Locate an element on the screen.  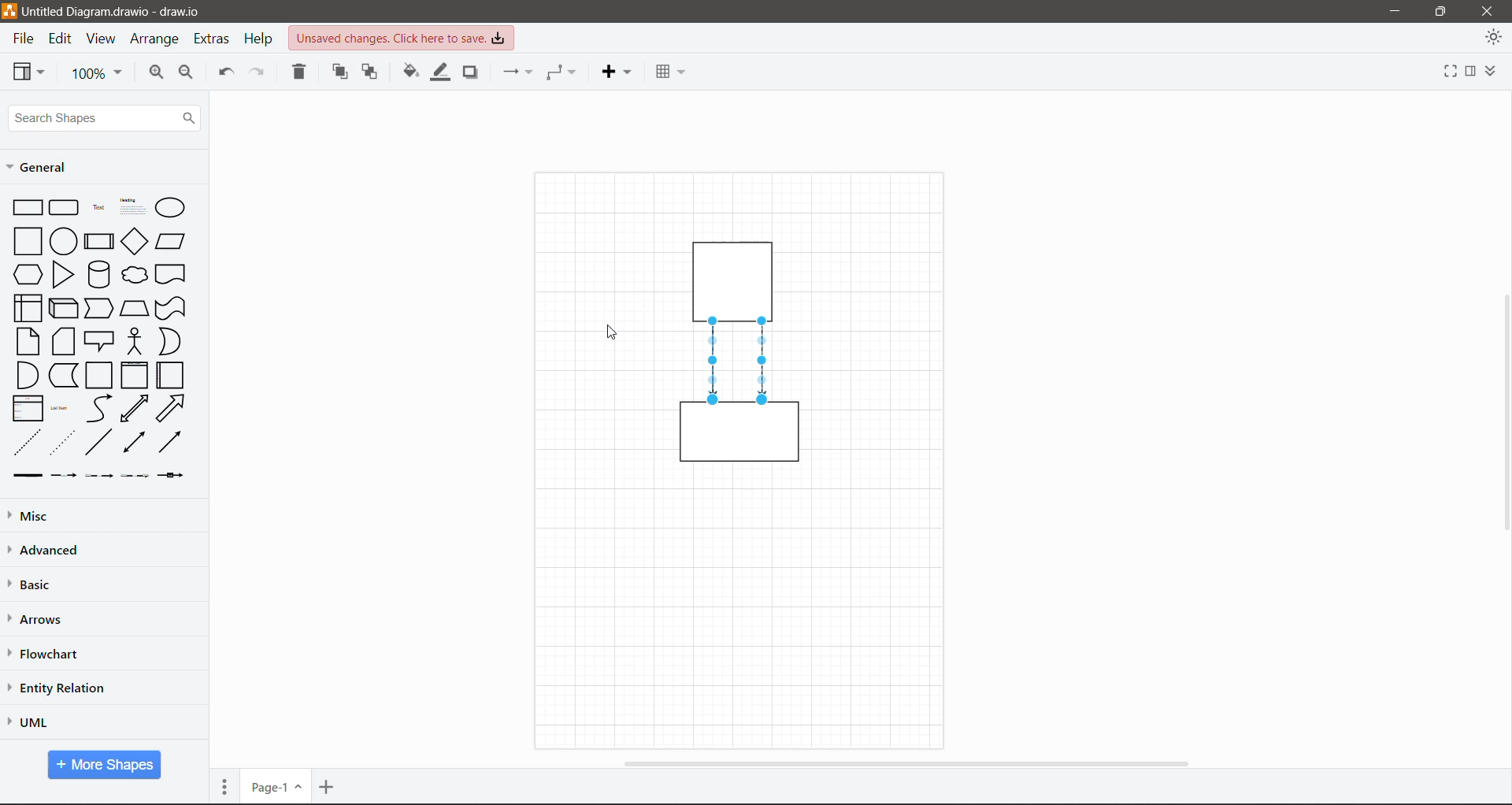
More Shapes is located at coordinates (105, 765).